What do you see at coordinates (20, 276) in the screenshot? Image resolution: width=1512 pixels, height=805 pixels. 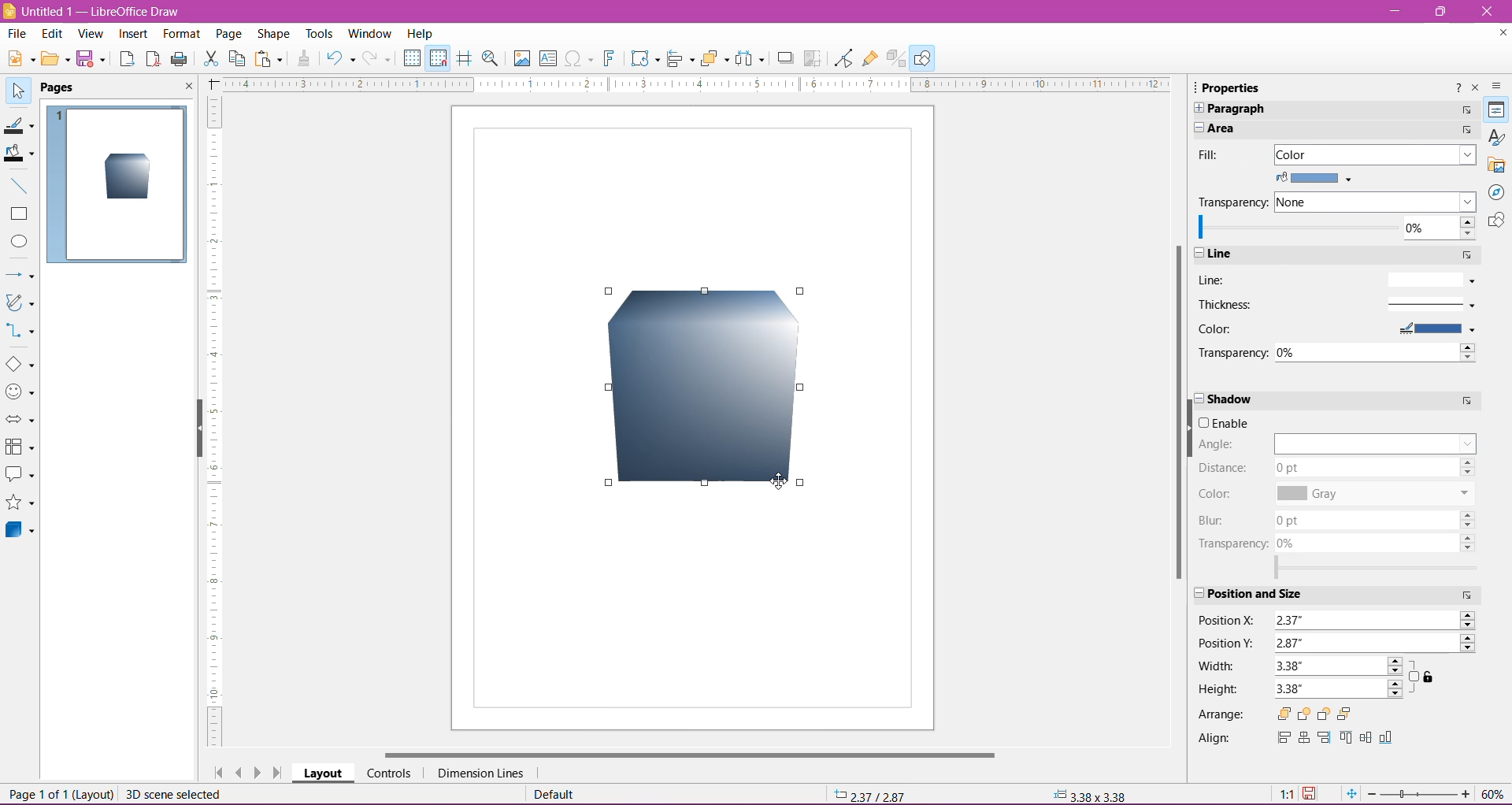 I see `Lines and Arrows` at bounding box center [20, 276].